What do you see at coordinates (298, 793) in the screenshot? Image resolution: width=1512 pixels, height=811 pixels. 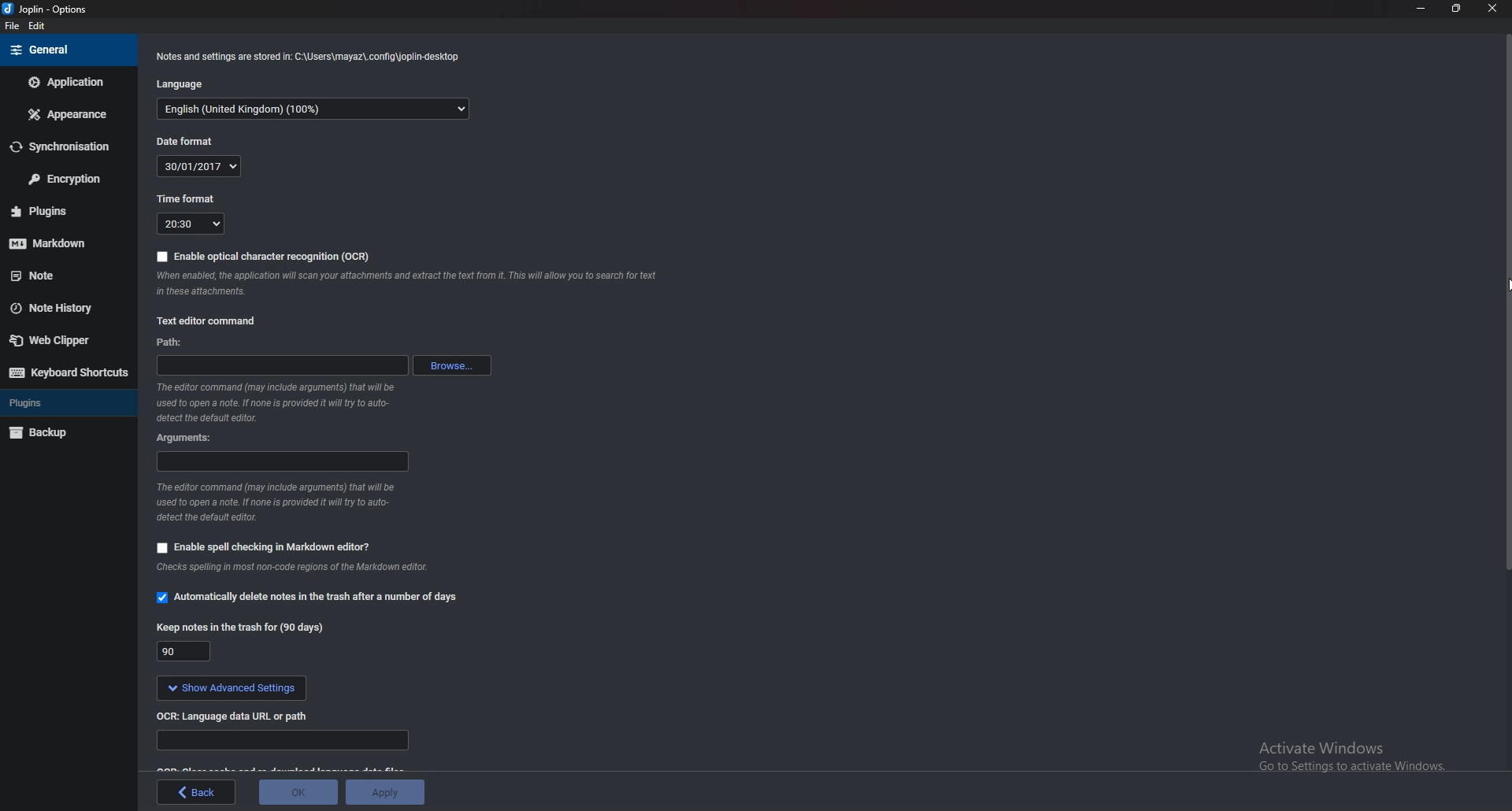 I see `ok` at bounding box center [298, 793].